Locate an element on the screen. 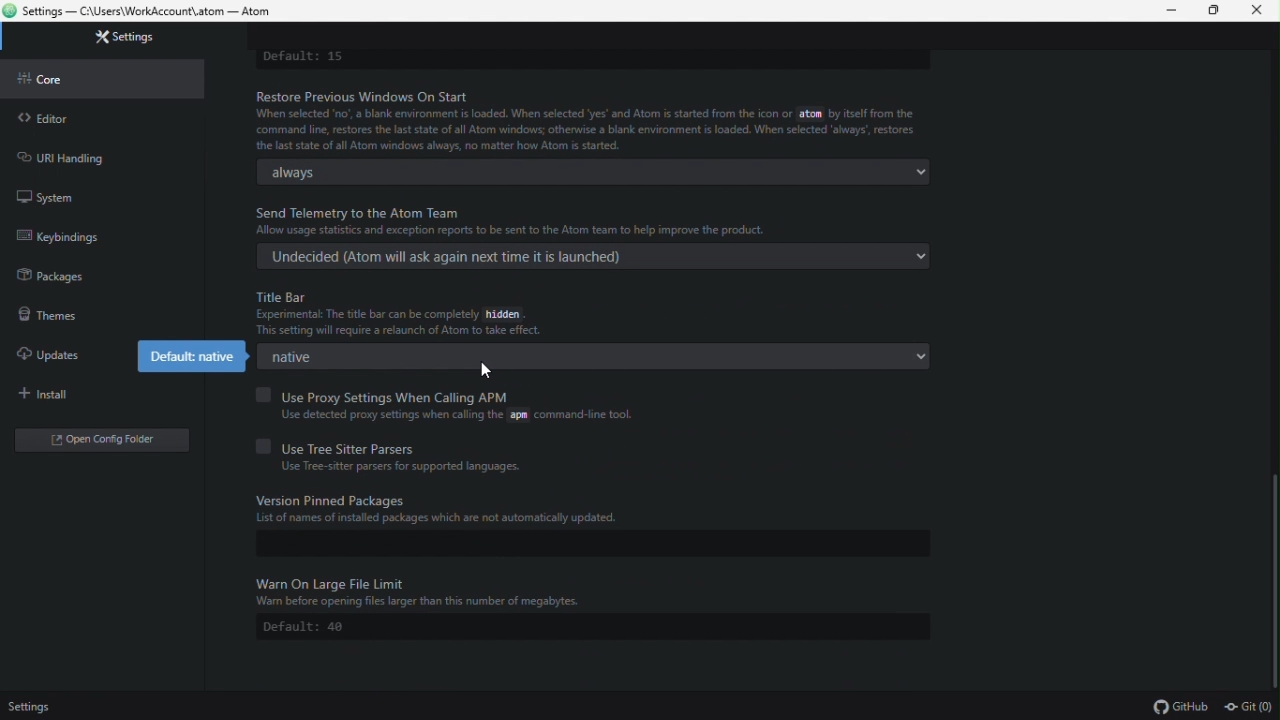 This screenshot has height=720, width=1280. open config editor is located at coordinates (101, 442).